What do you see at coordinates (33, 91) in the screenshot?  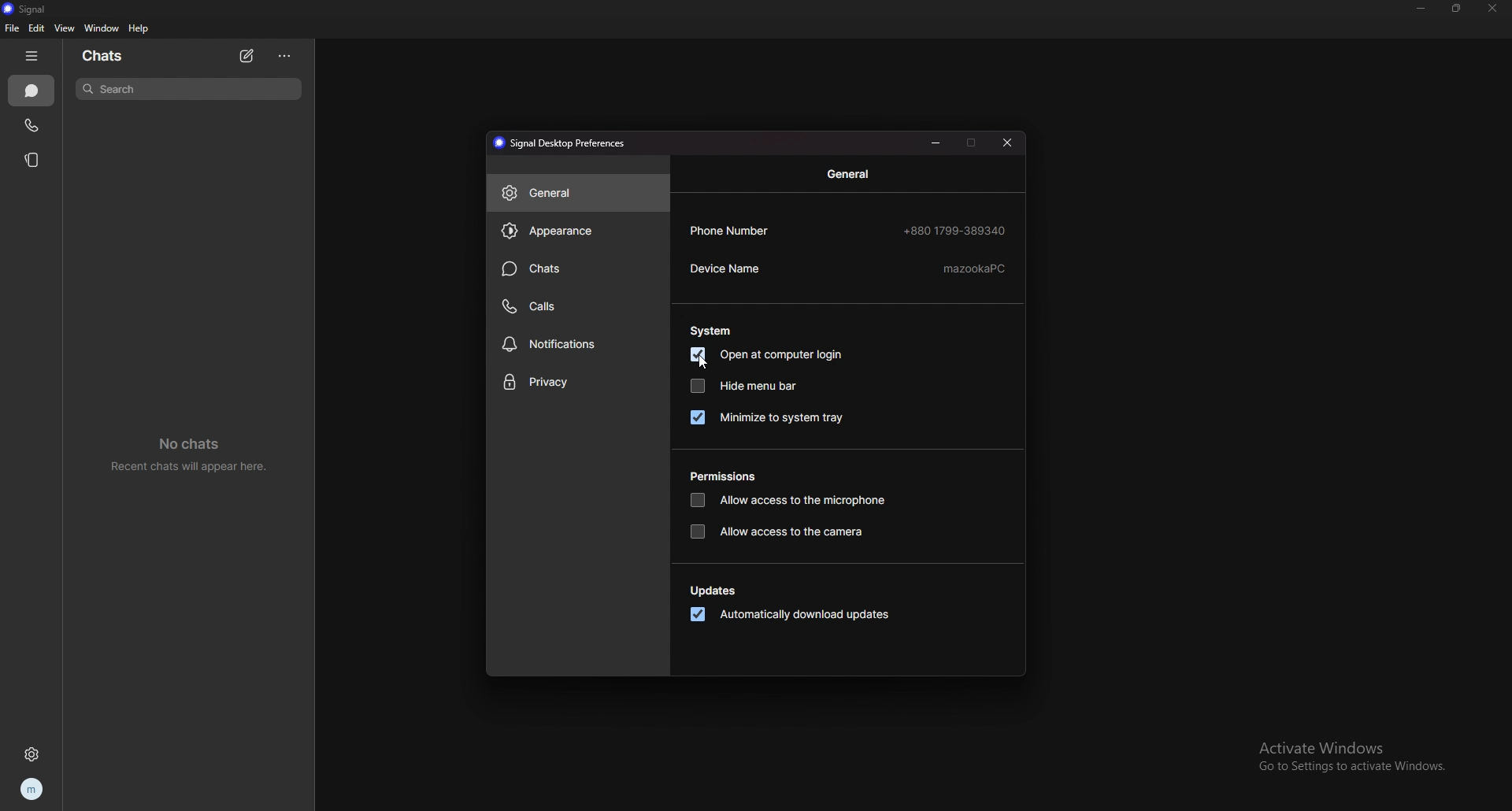 I see `chats` at bounding box center [33, 91].